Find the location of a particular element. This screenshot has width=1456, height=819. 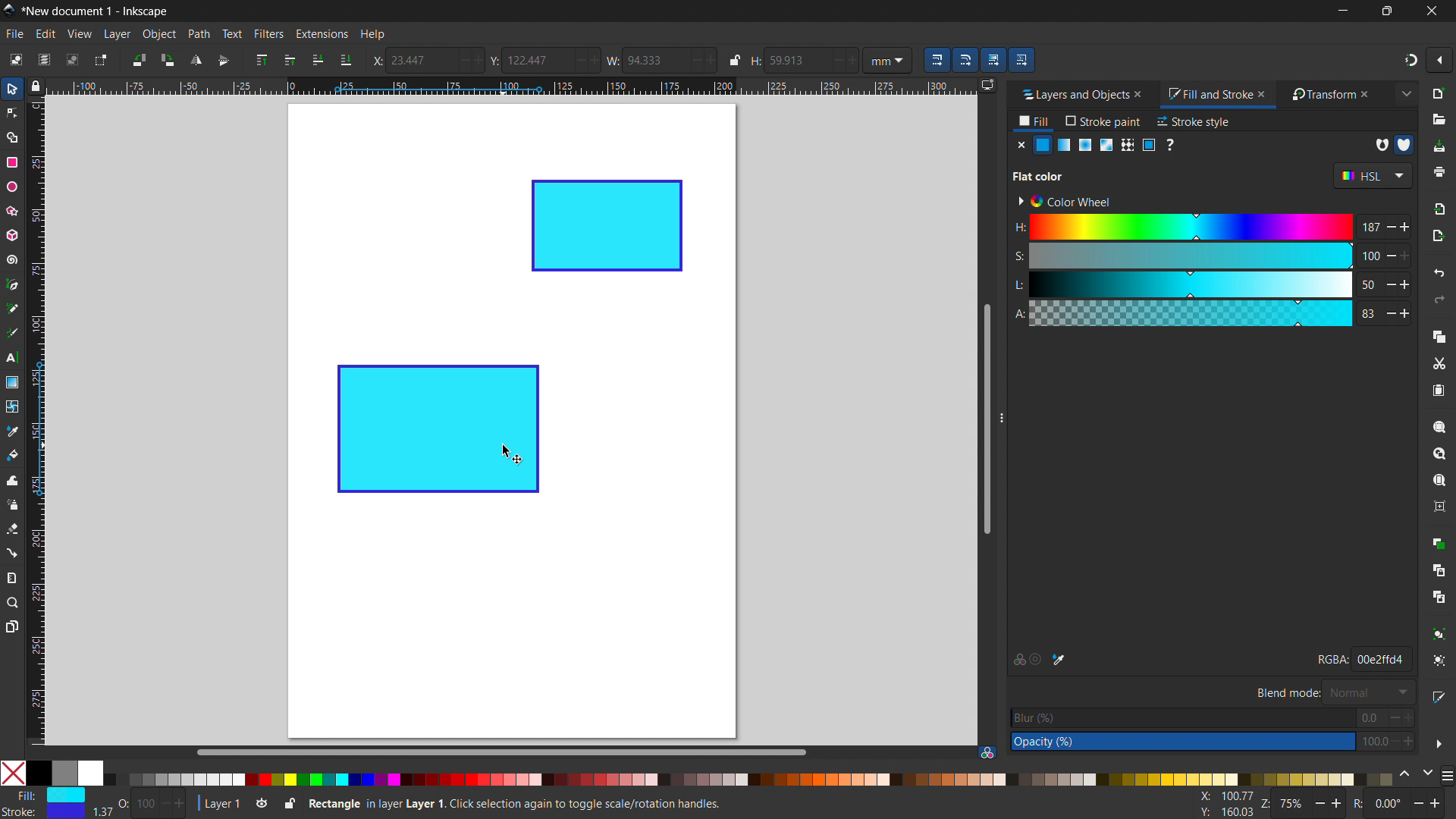

close is located at coordinates (1372, 94).